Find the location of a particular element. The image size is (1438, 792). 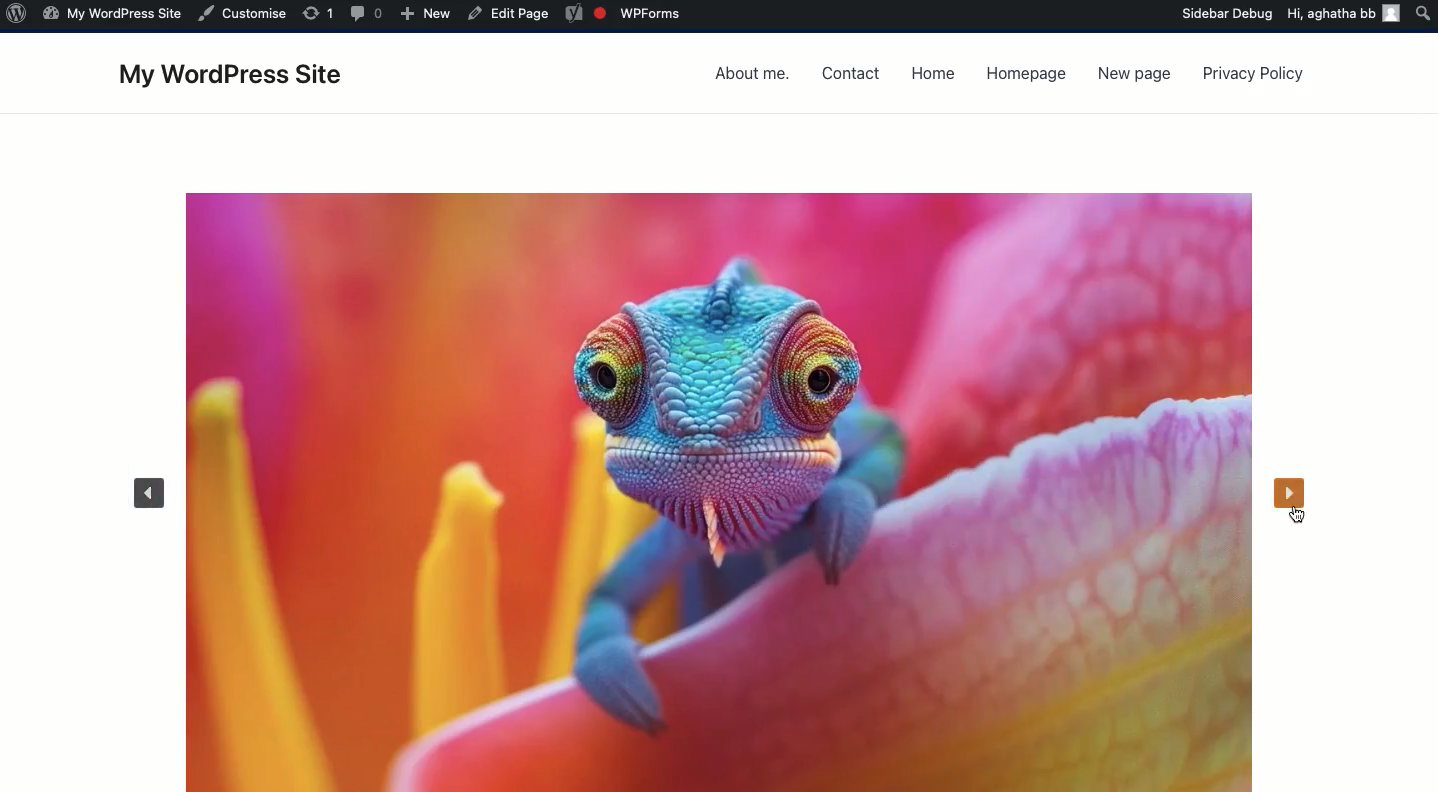

new is located at coordinates (427, 14).